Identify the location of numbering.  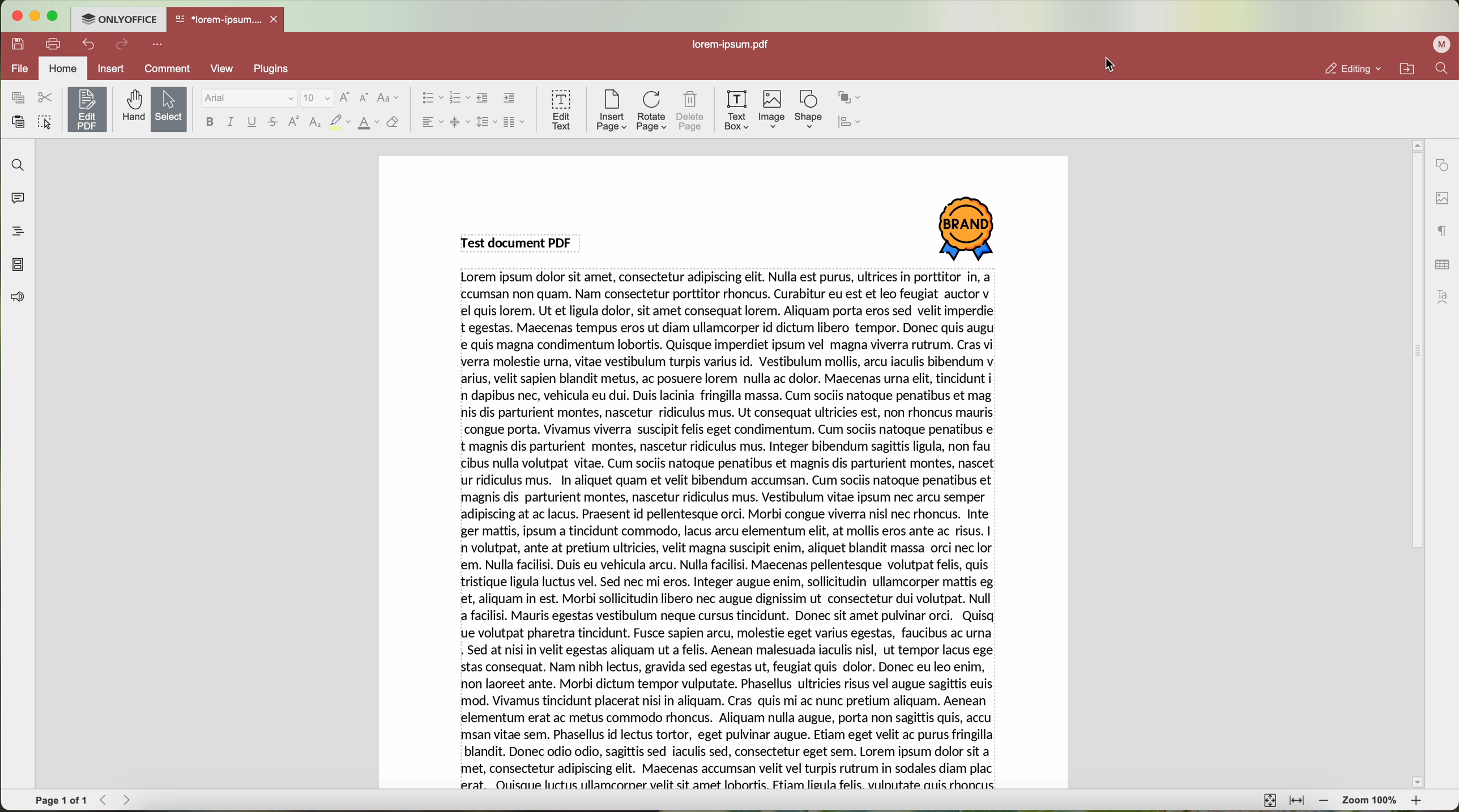
(459, 99).